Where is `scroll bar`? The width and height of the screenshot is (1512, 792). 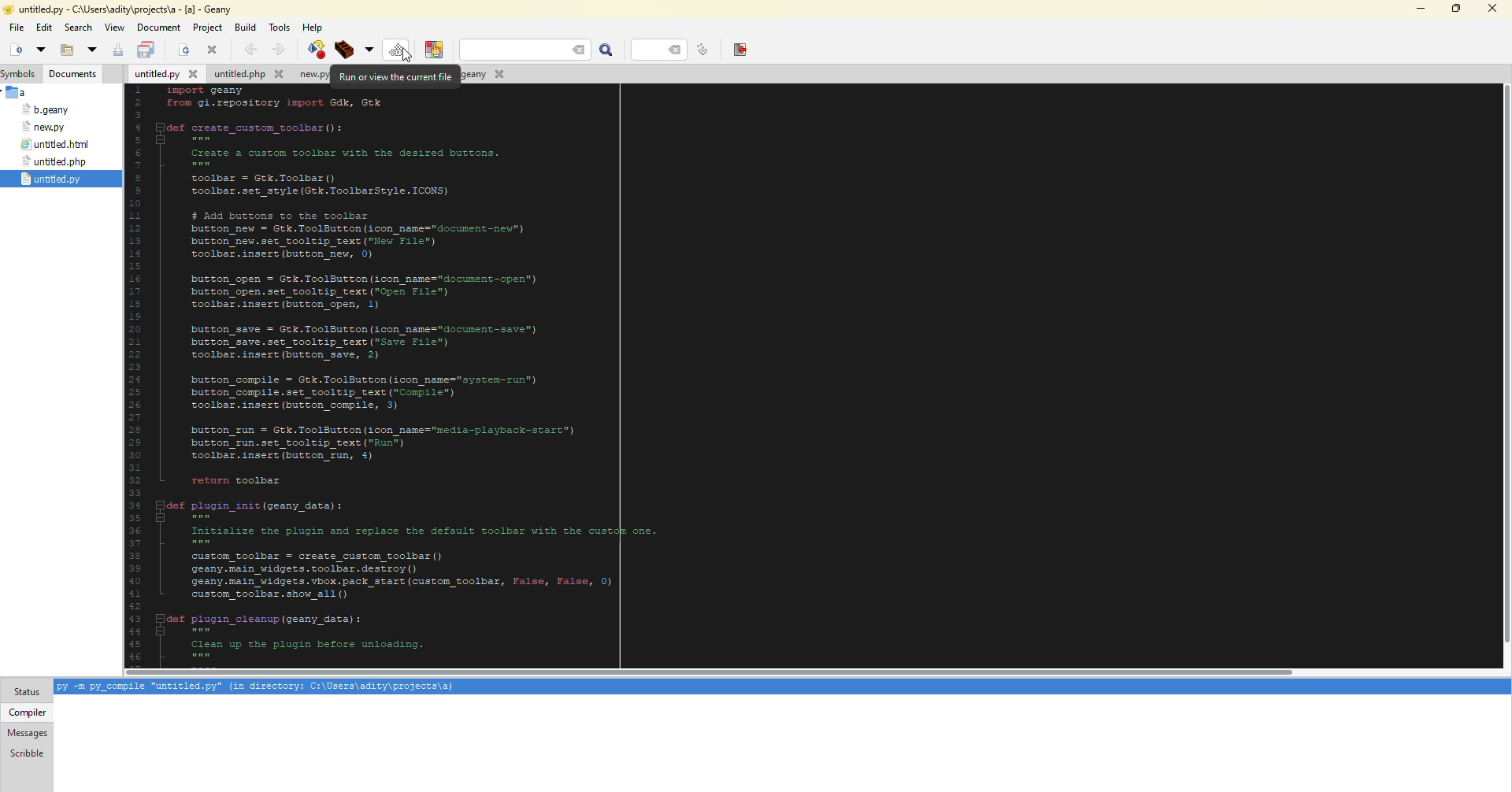
scroll bar is located at coordinates (702, 672).